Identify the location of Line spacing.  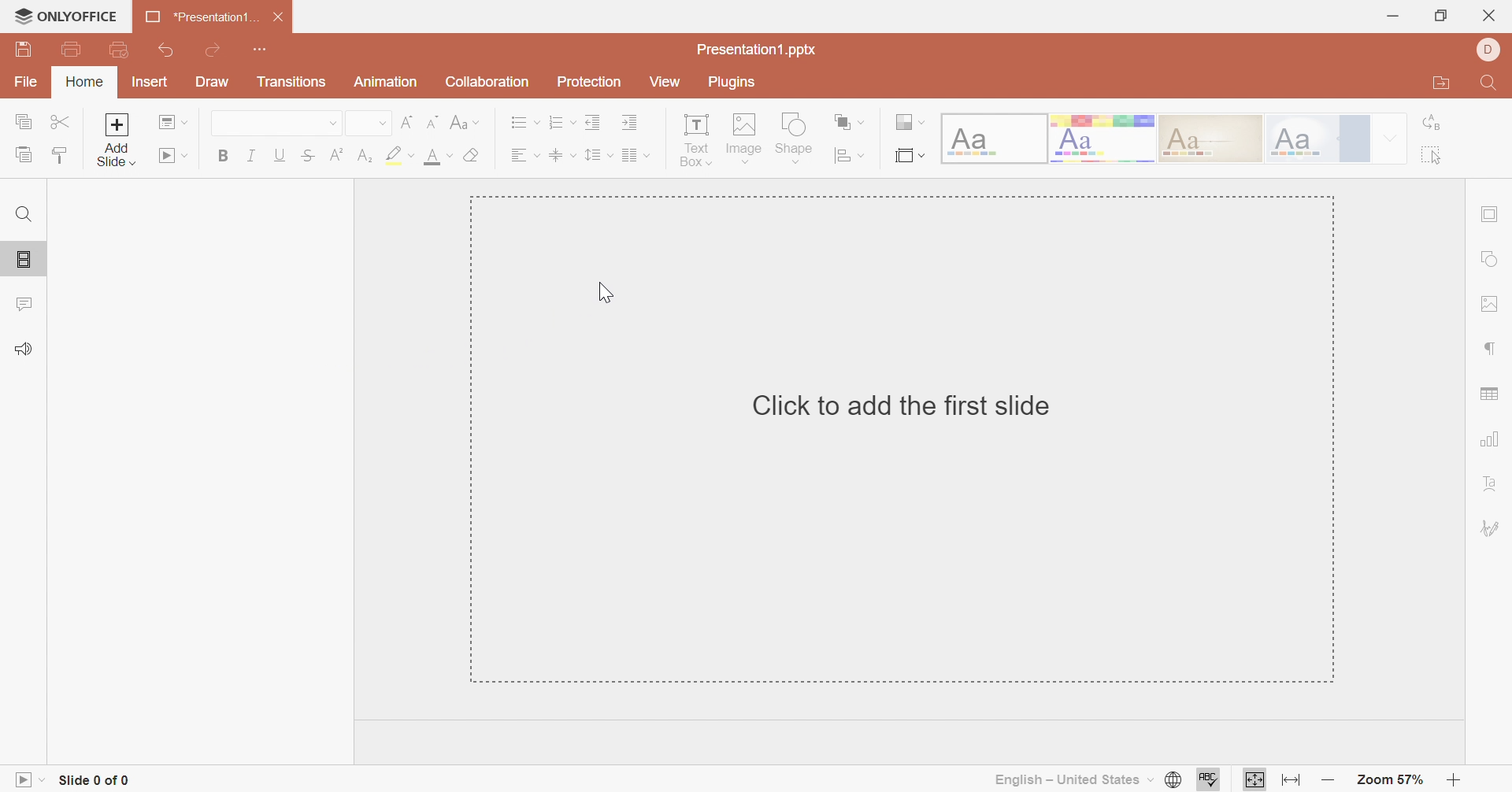
(593, 154).